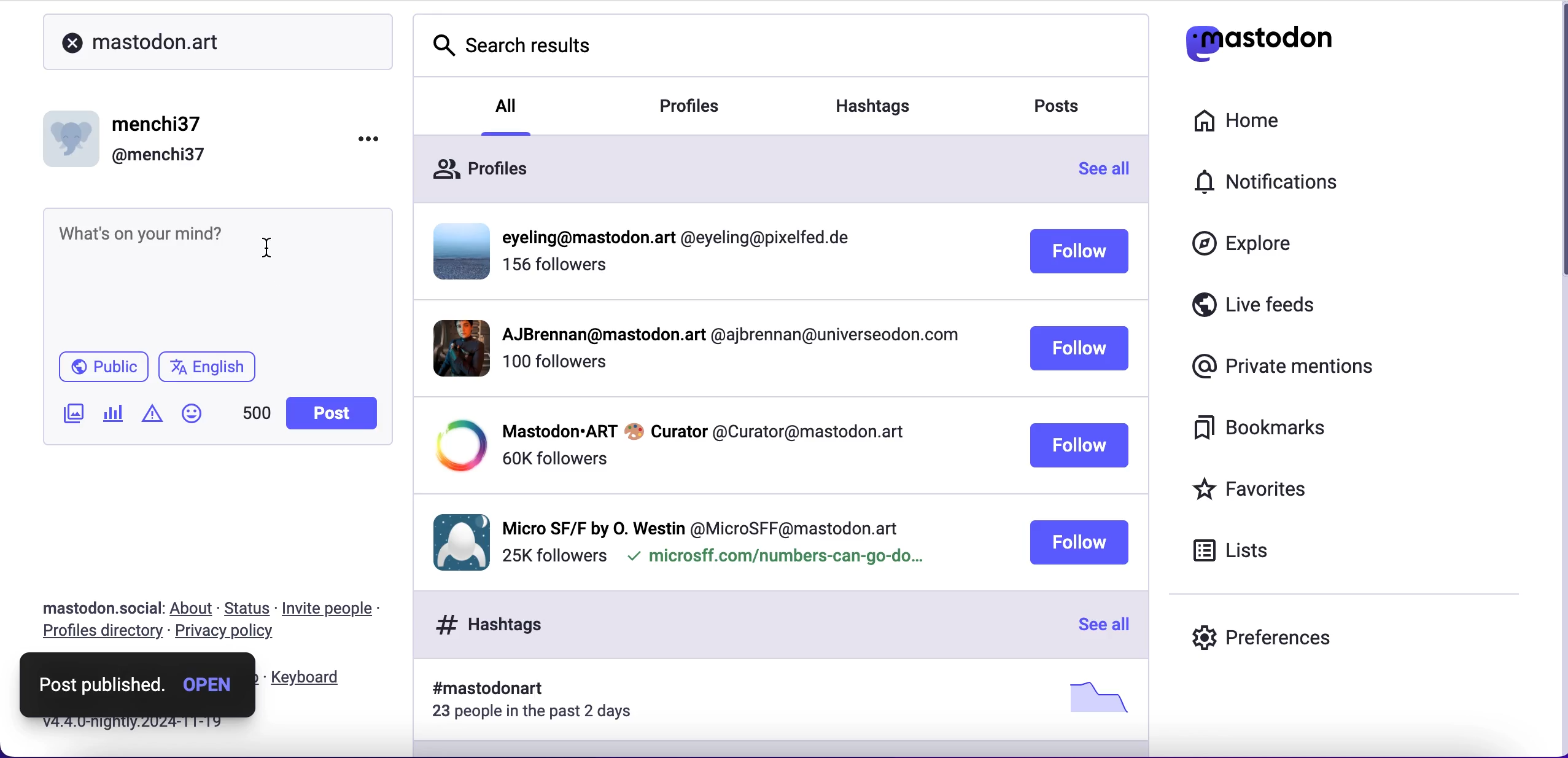  I want to click on display picture, so click(74, 135).